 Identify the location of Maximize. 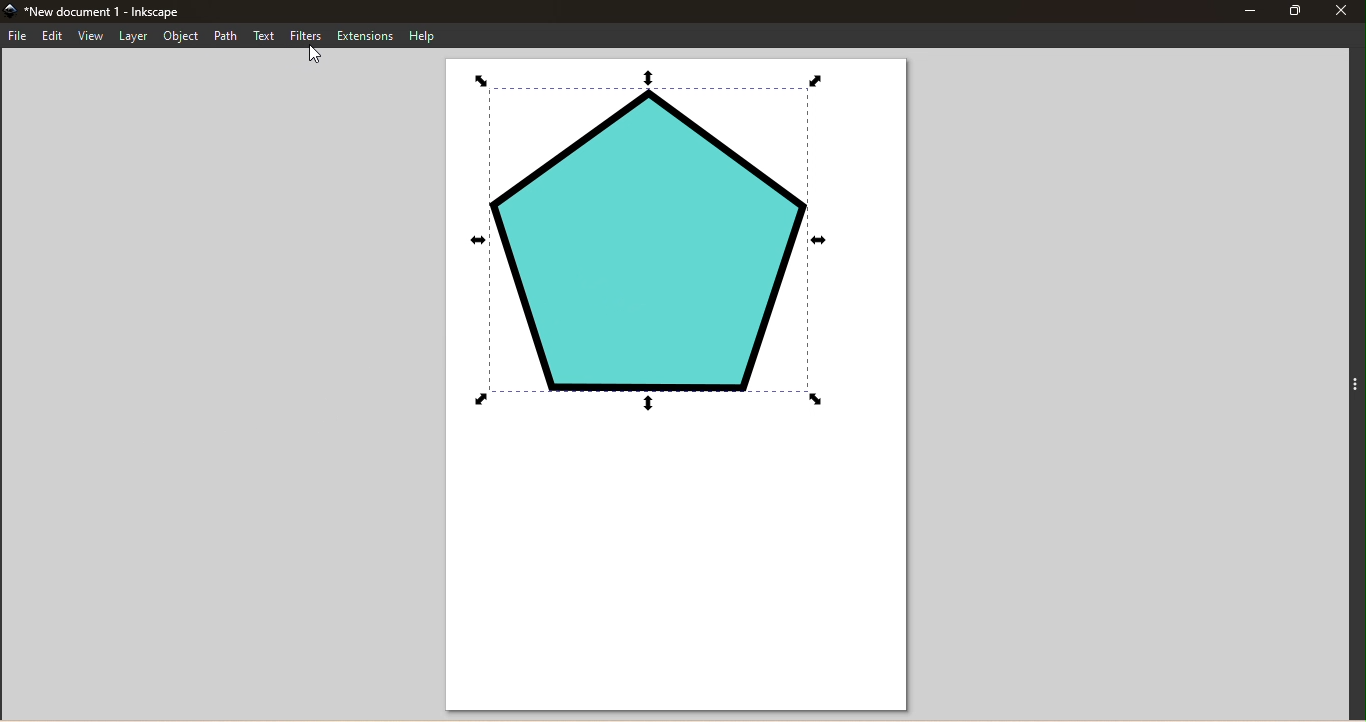
(1295, 10).